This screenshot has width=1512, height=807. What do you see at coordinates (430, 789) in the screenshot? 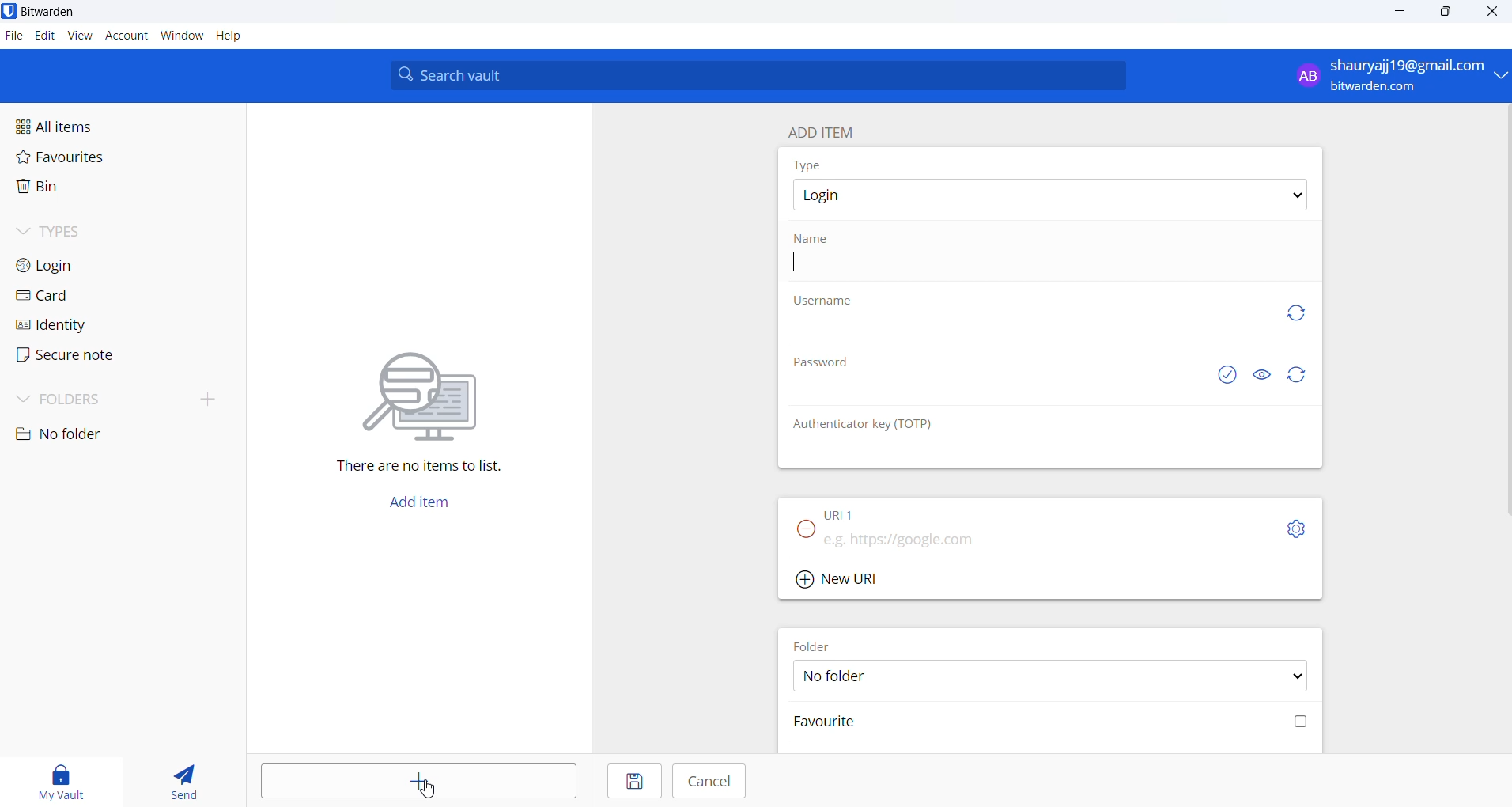
I see `cursor` at bounding box center [430, 789].